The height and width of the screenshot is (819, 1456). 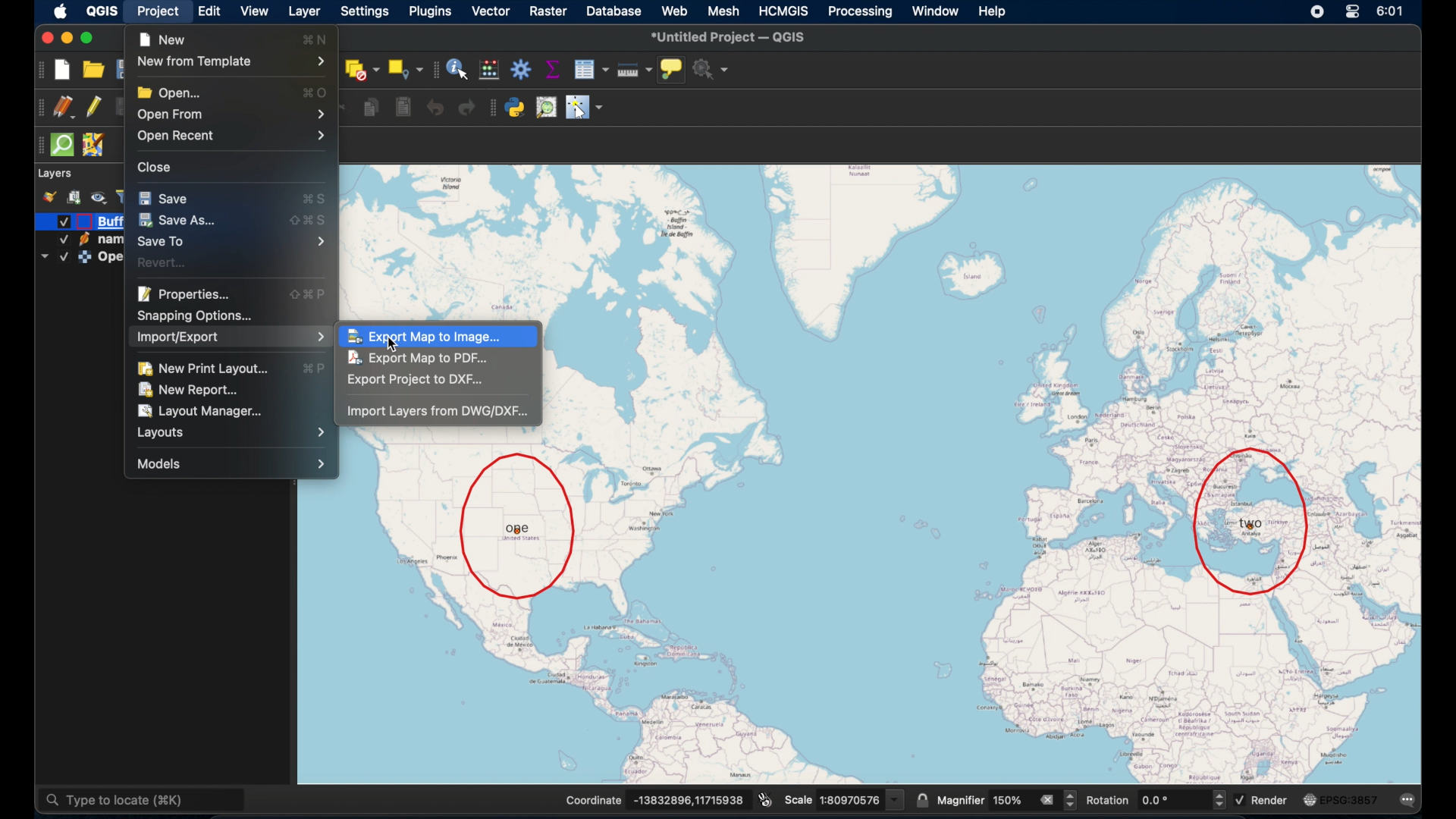 What do you see at coordinates (1310, 798) in the screenshot?
I see `icon` at bounding box center [1310, 798].